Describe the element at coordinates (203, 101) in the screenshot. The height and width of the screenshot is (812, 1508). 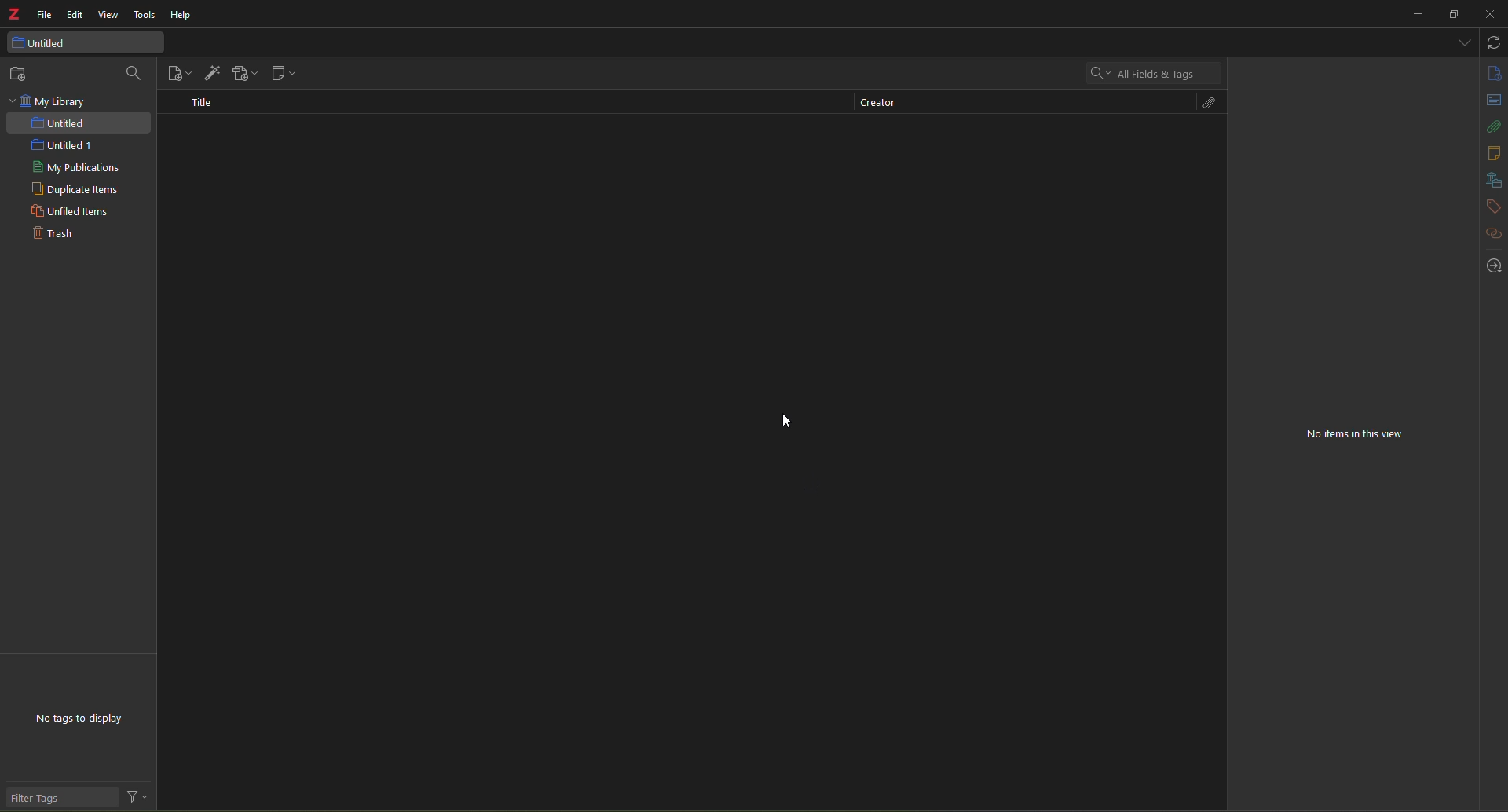
I see `title` at that location.